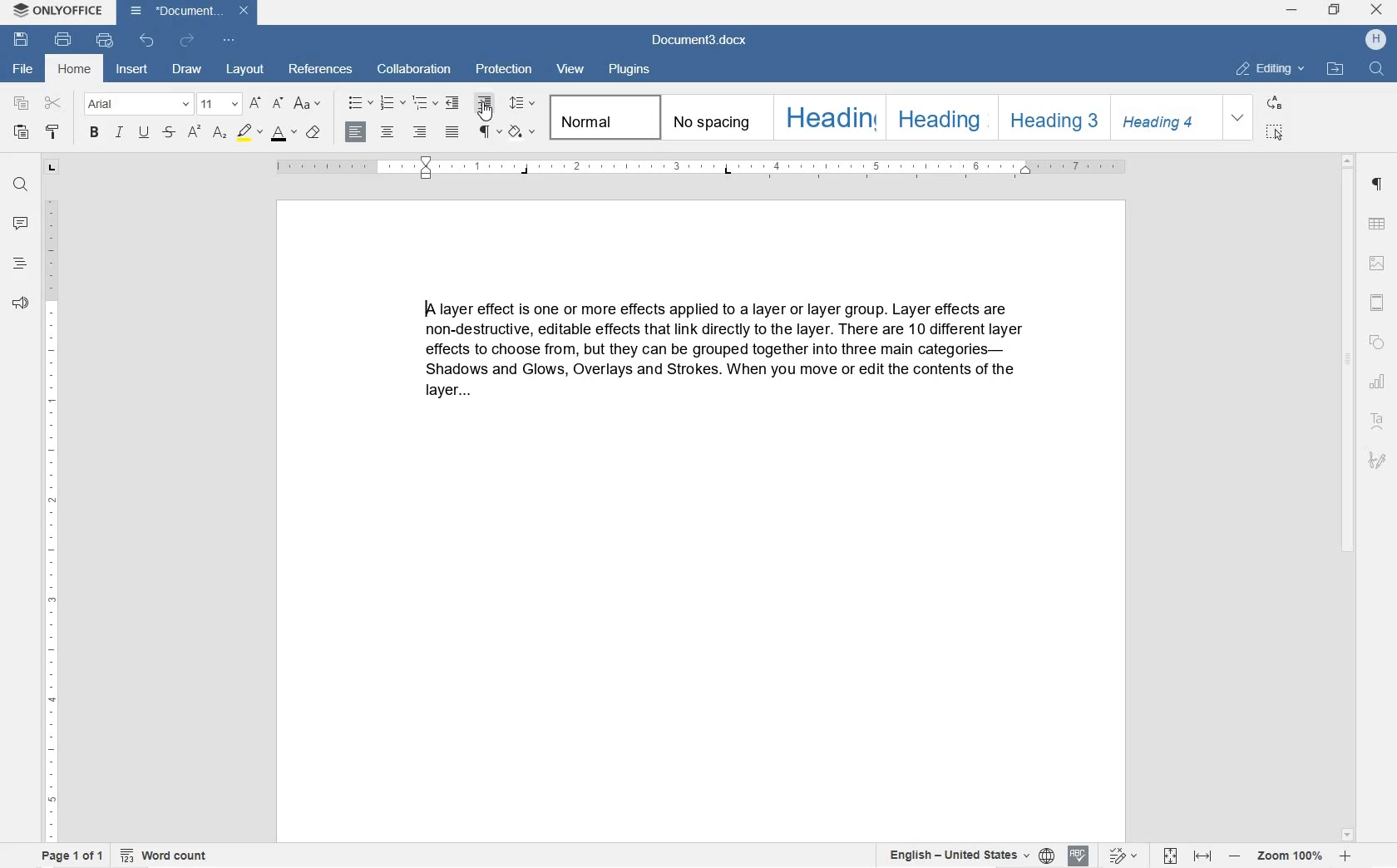 This screenshot has width=1397, height=868. I want to click on CLOSE, so click(1378, 12).